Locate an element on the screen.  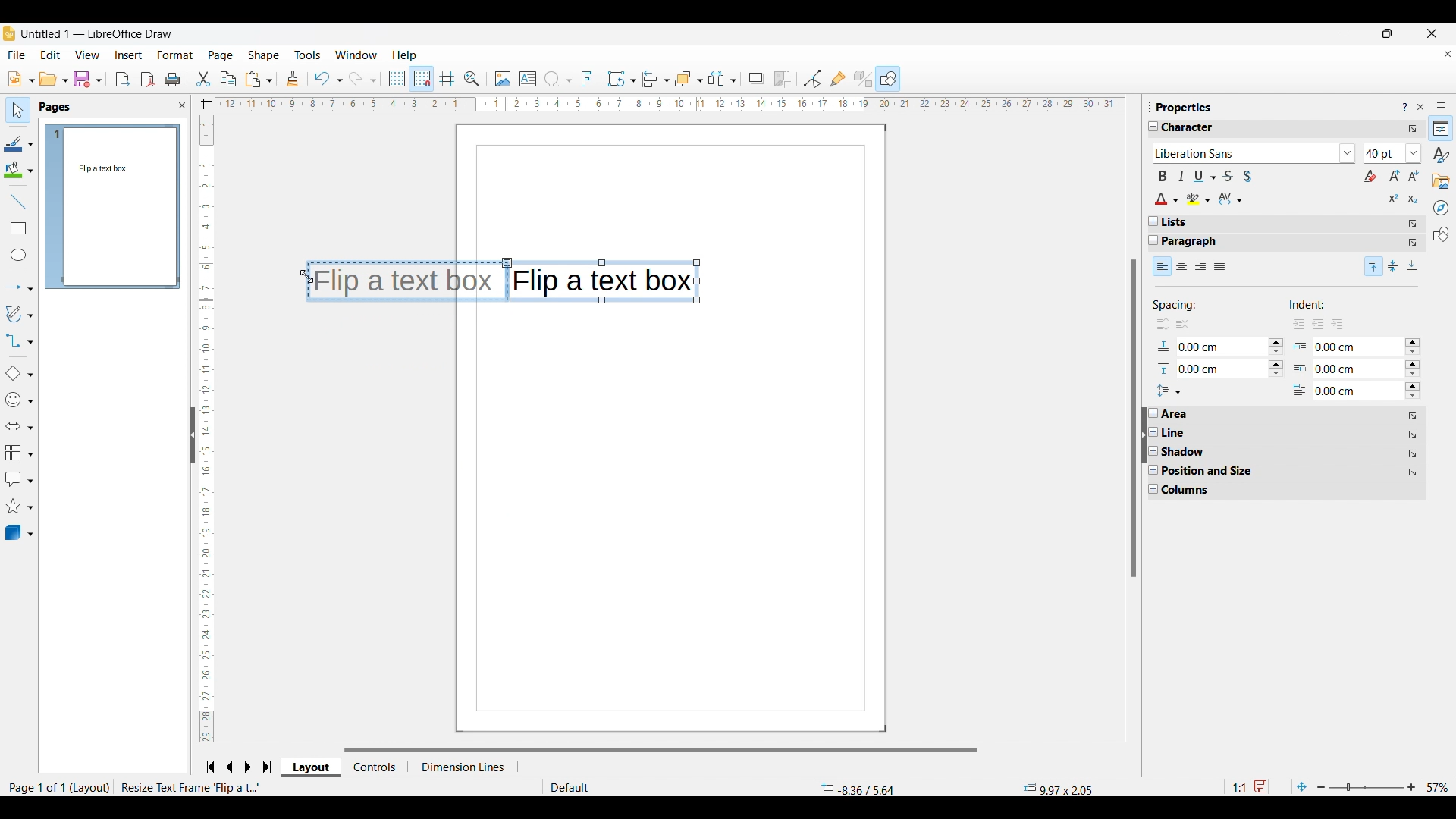
Navigator is located at coordinates (1441, 208).